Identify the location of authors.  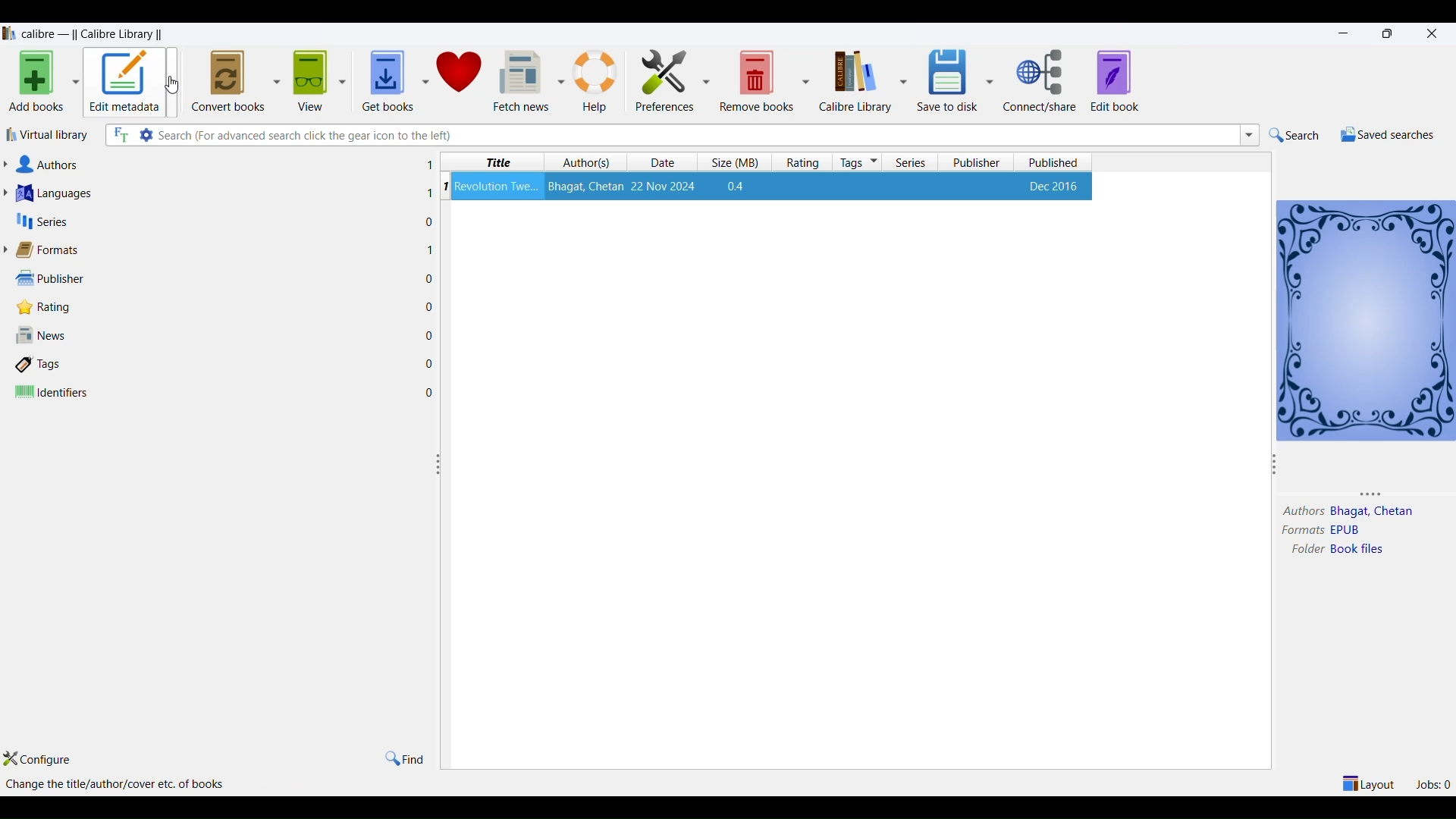
(52, 165).